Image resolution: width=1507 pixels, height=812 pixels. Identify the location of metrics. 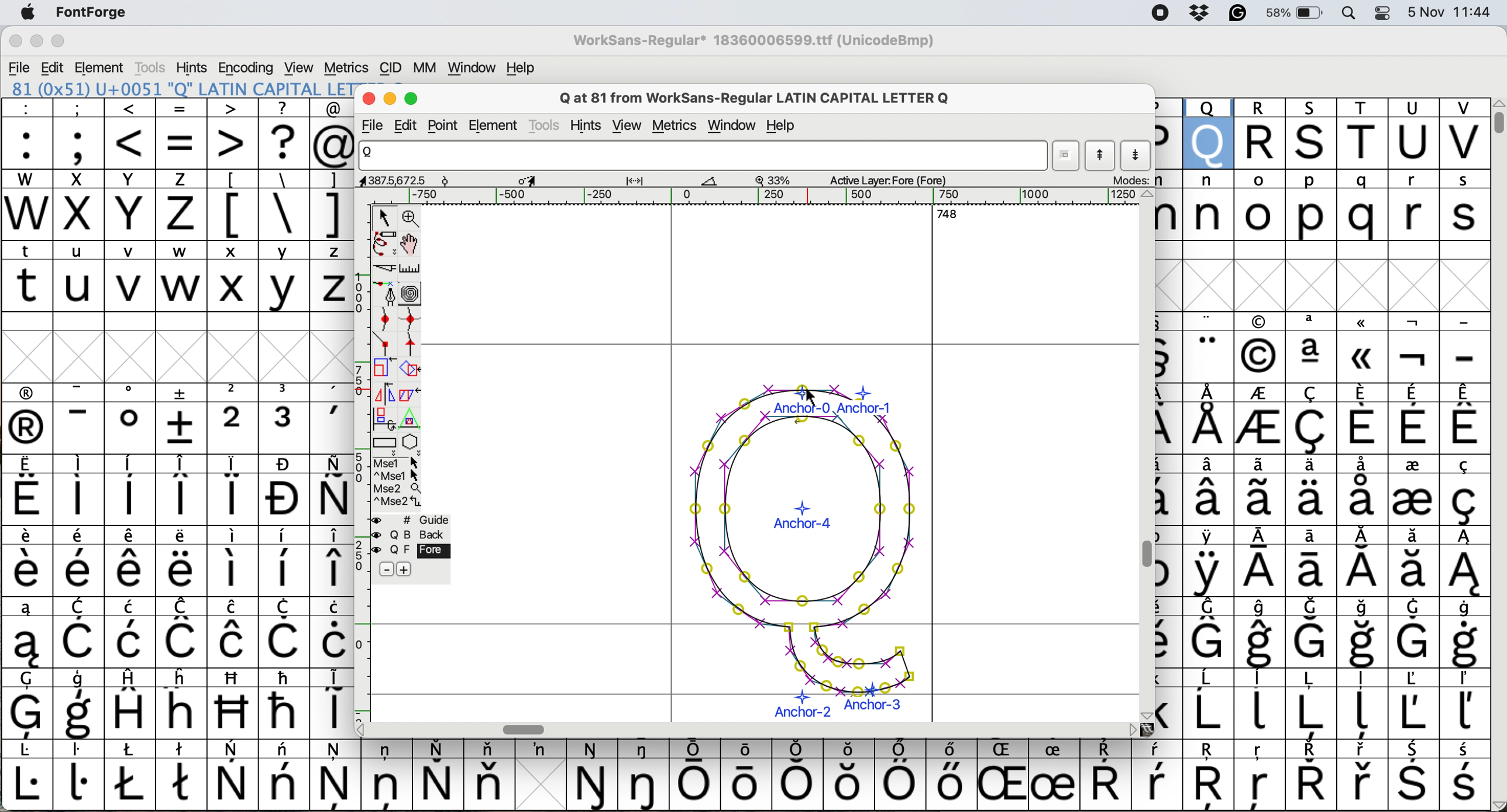
(347, 66).